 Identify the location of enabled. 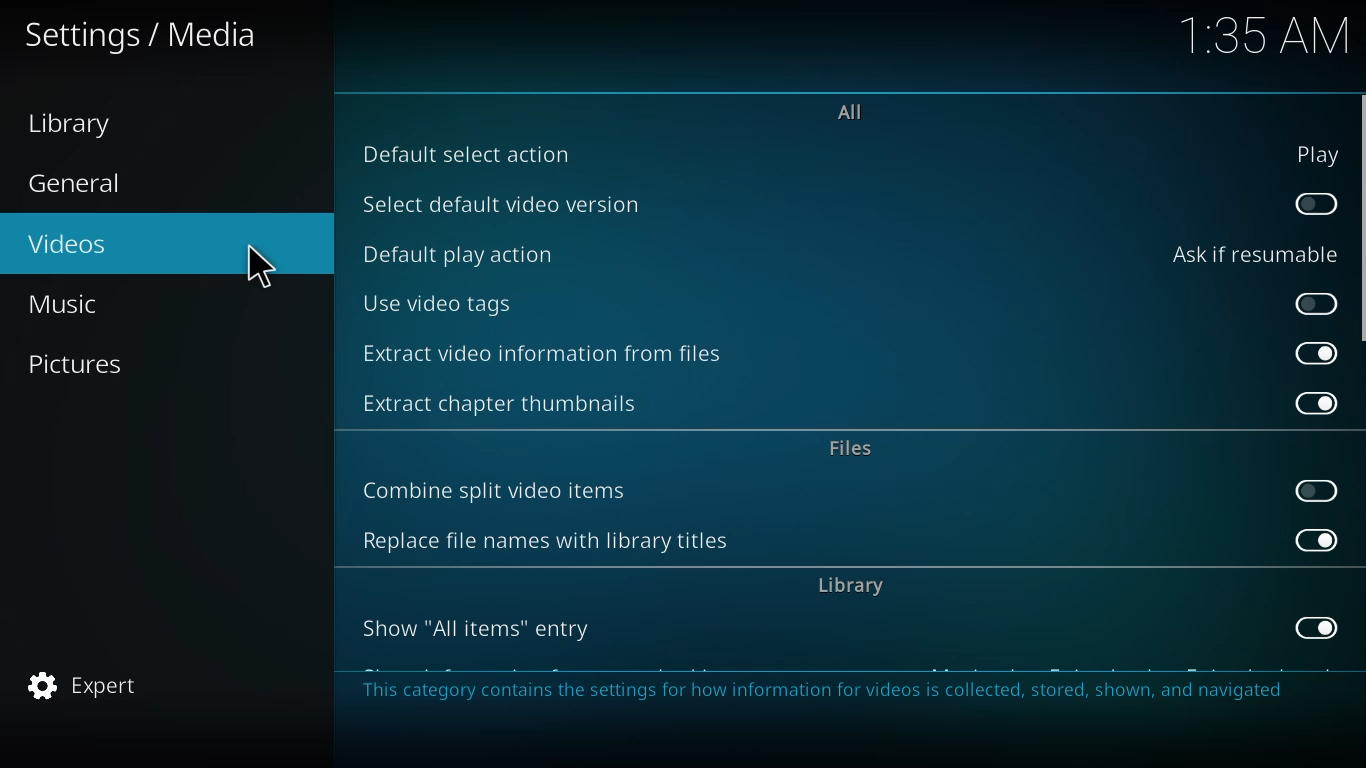
(1318, 540).